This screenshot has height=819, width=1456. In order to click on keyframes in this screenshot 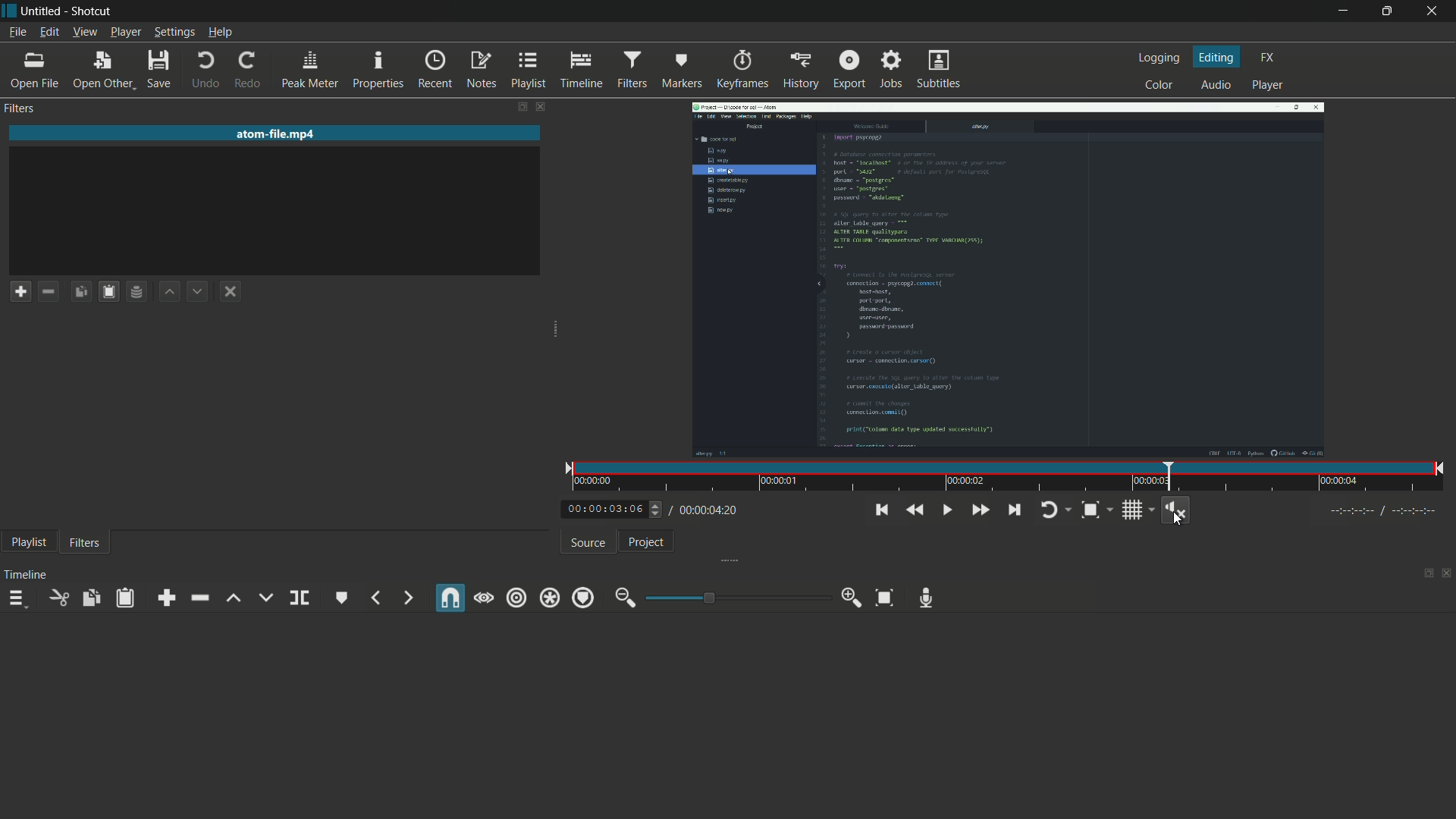, I will do `click(742, 71)`.